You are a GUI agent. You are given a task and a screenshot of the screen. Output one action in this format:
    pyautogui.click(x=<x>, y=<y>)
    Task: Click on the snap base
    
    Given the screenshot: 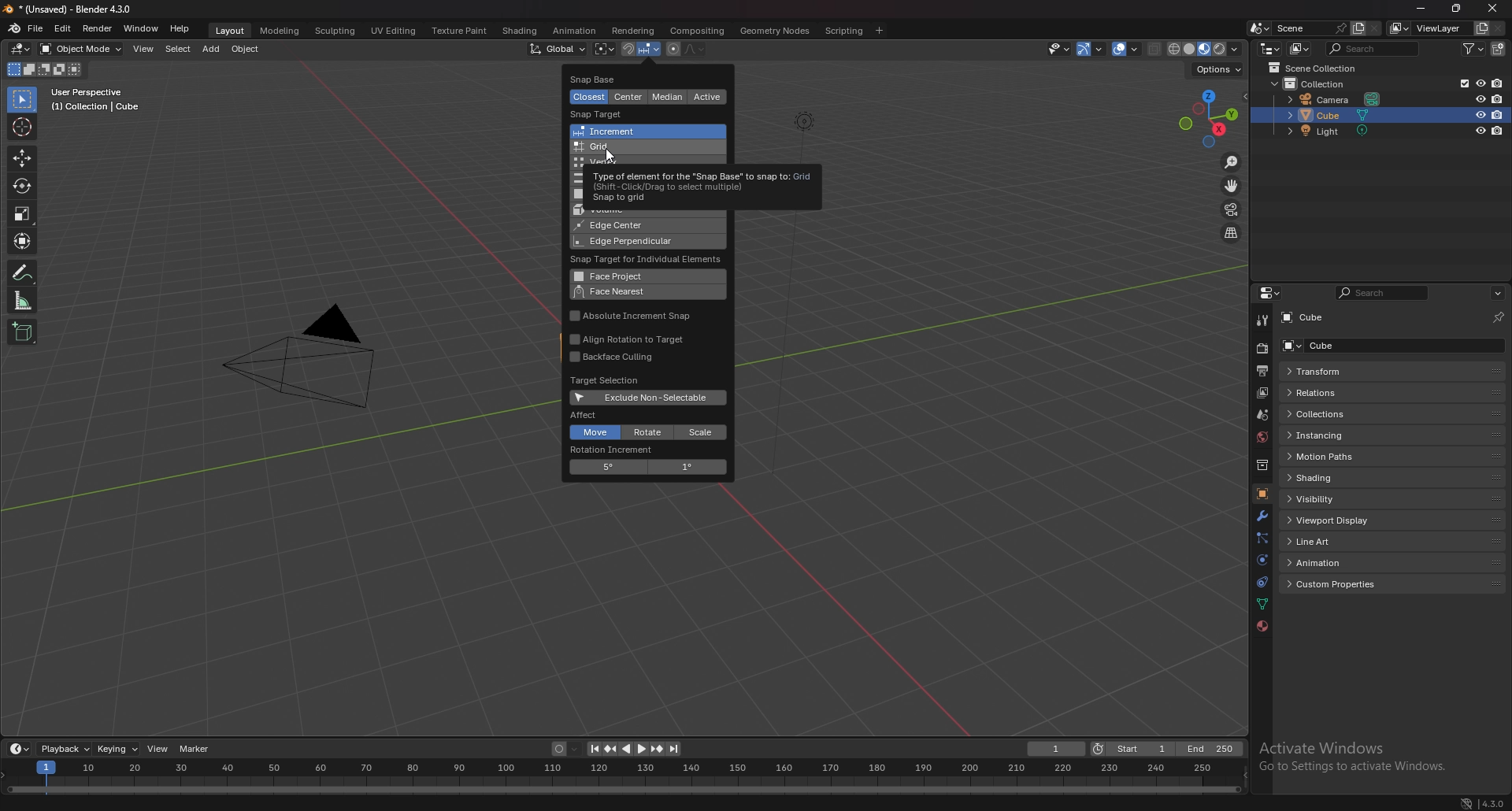 What is the action you would take?
    pyautogui.click(x=608, y=78)
    